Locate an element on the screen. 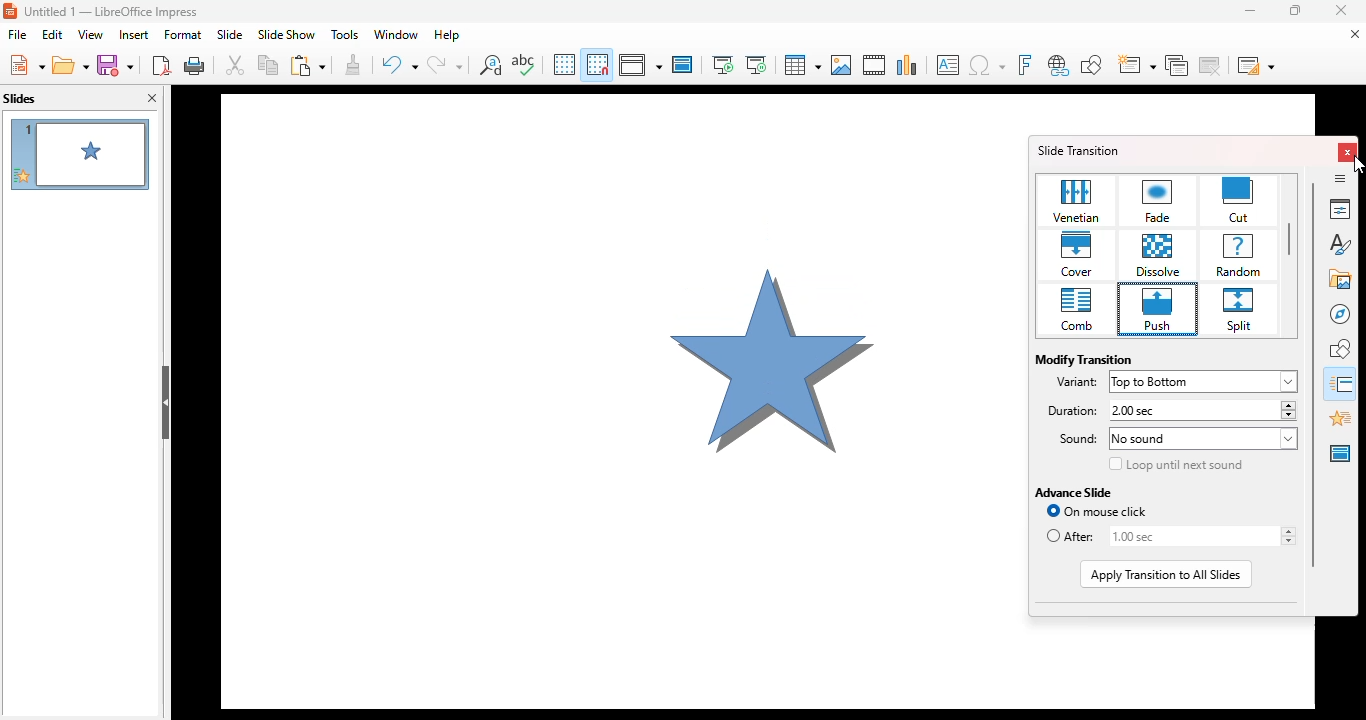  file is located at coordinates (18, 34).